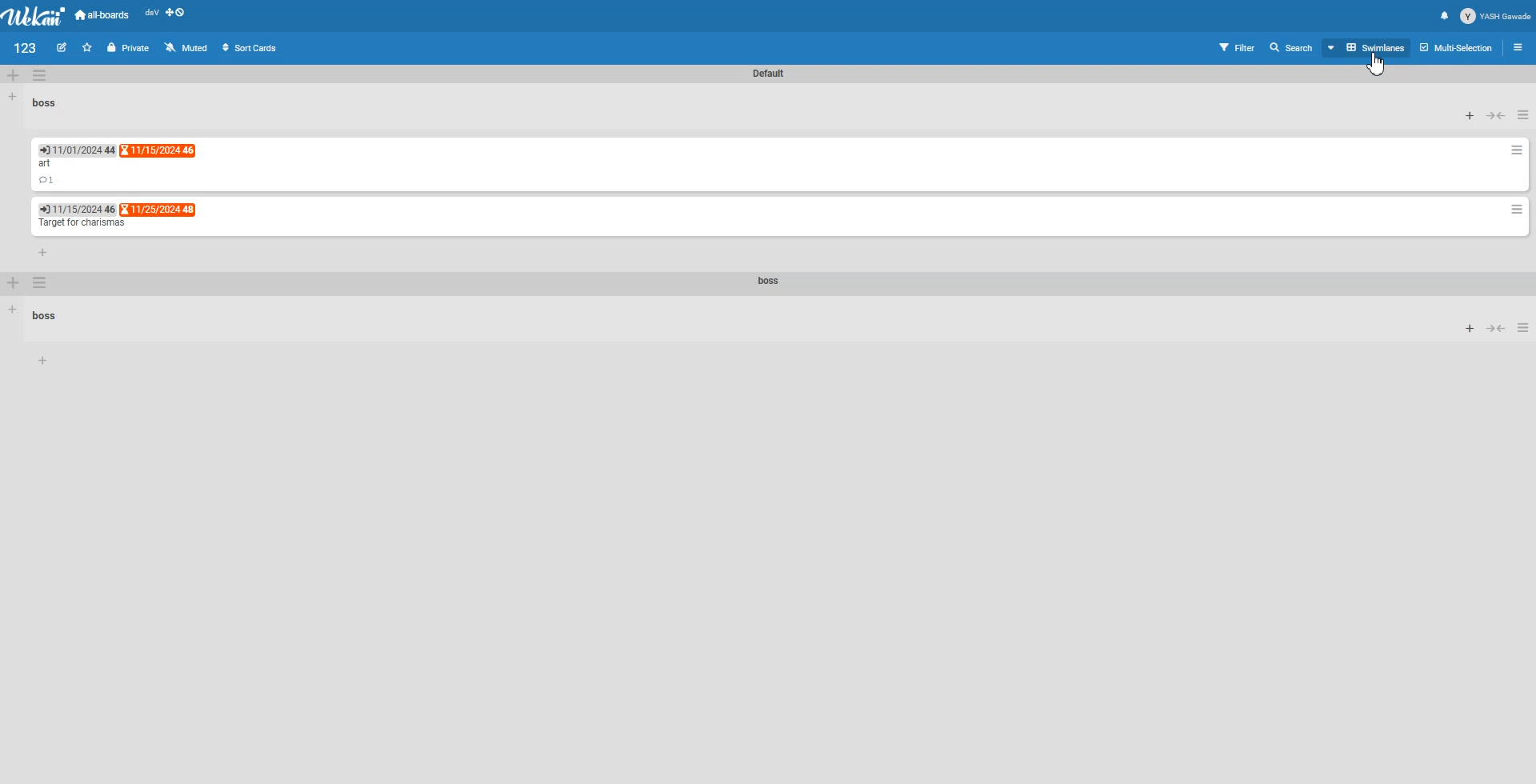  Describe the element at coordinates (1471, 116) in the screenshot. I see `Add card to top of list` at that location.